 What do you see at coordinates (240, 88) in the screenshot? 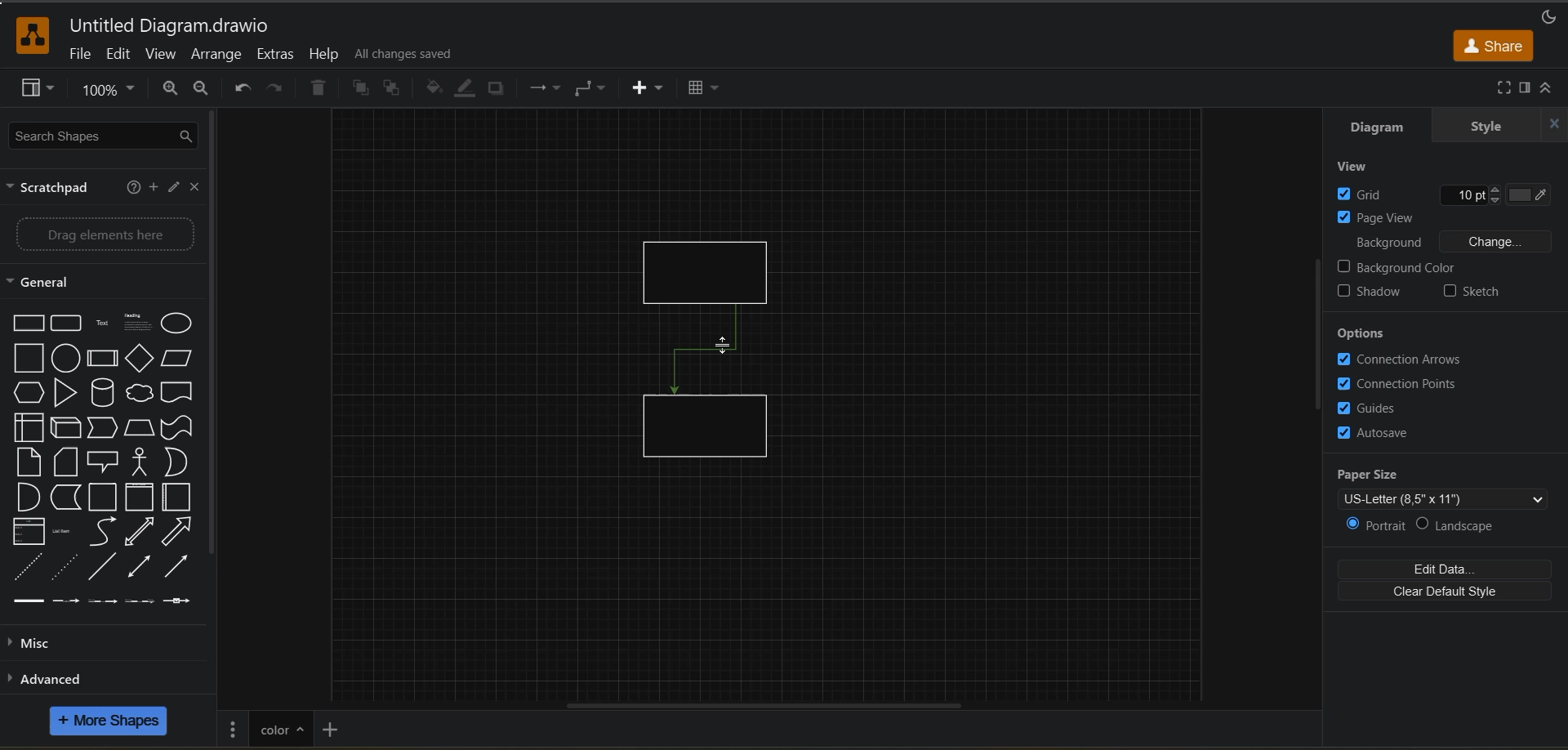
I see `undo` at bounding box center [240, 88].